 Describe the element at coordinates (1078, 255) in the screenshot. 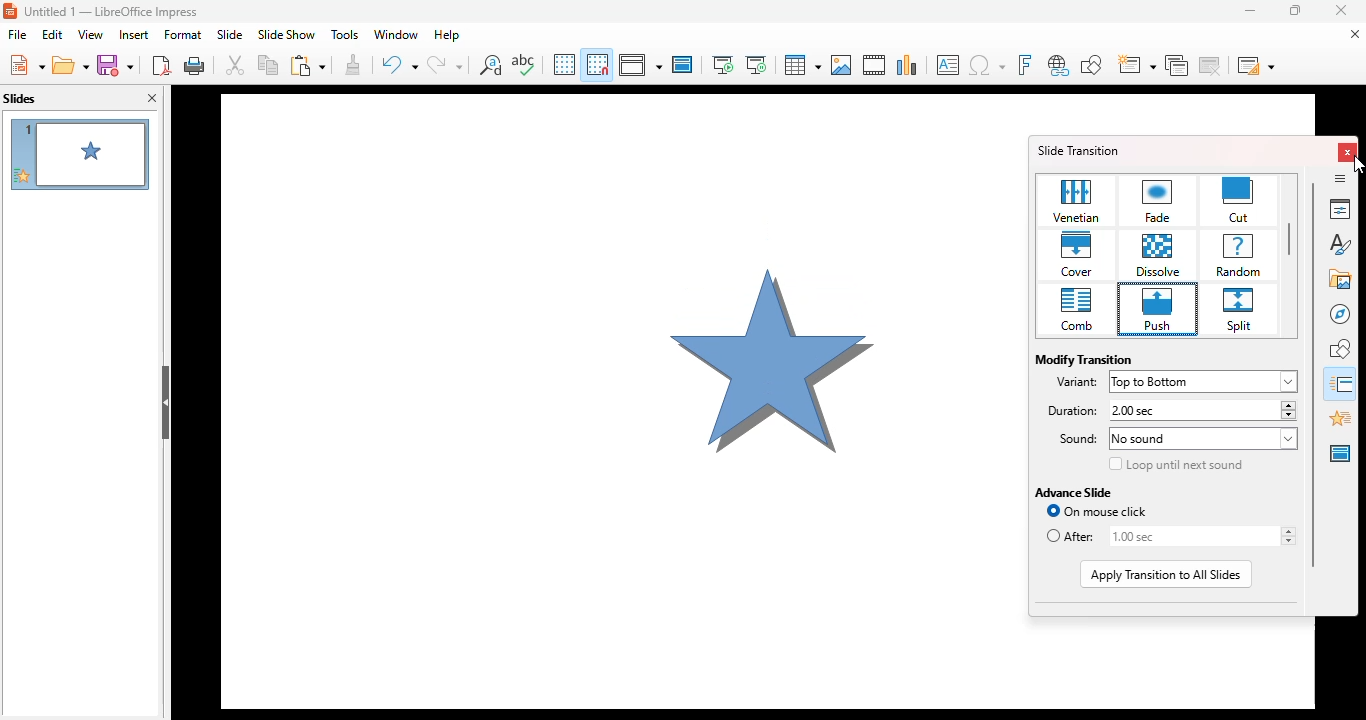

I see `cover` at that location.